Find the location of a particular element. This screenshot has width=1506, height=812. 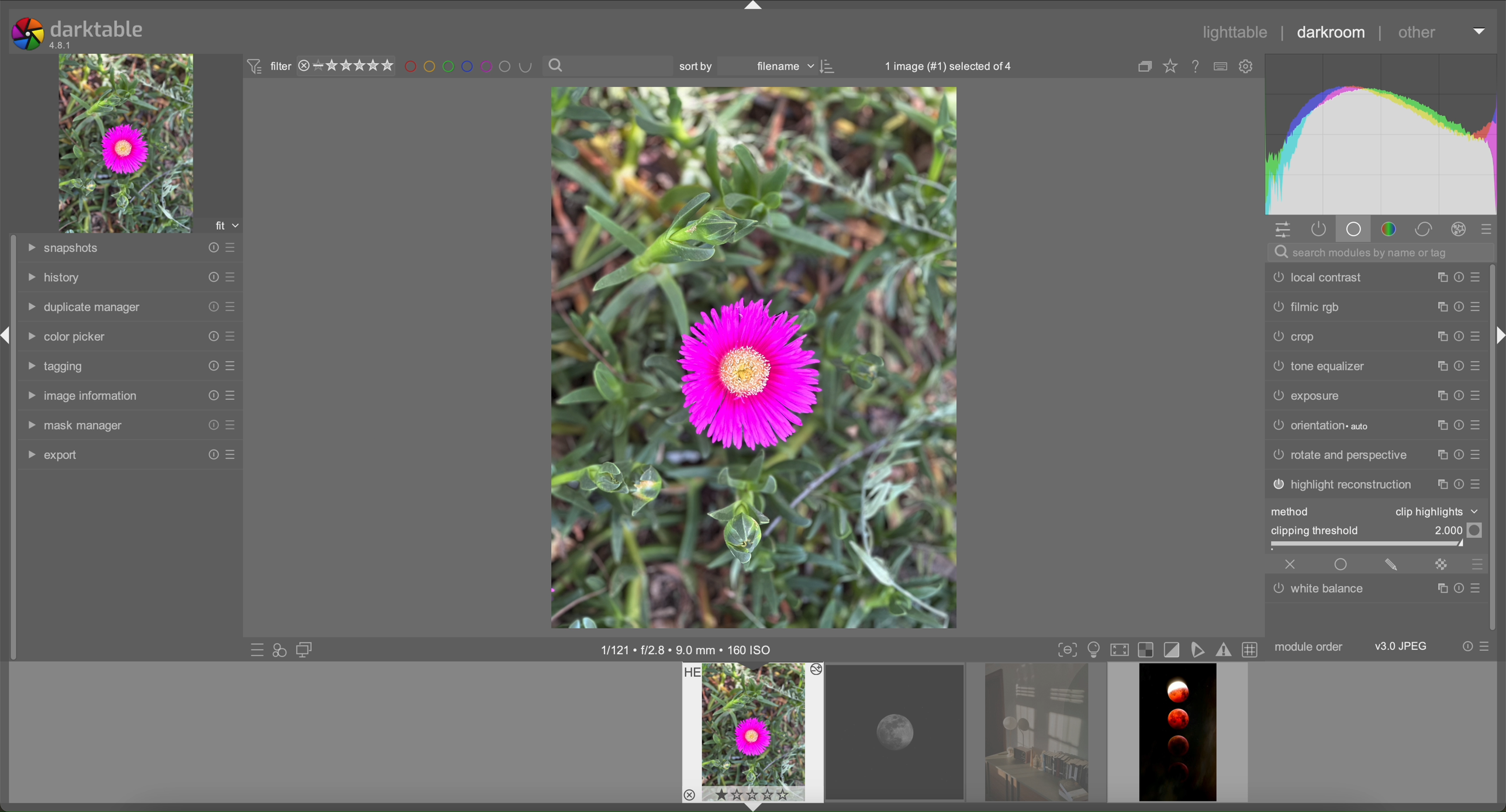

highlight reconstruction is located at coordinates (1341, 485).